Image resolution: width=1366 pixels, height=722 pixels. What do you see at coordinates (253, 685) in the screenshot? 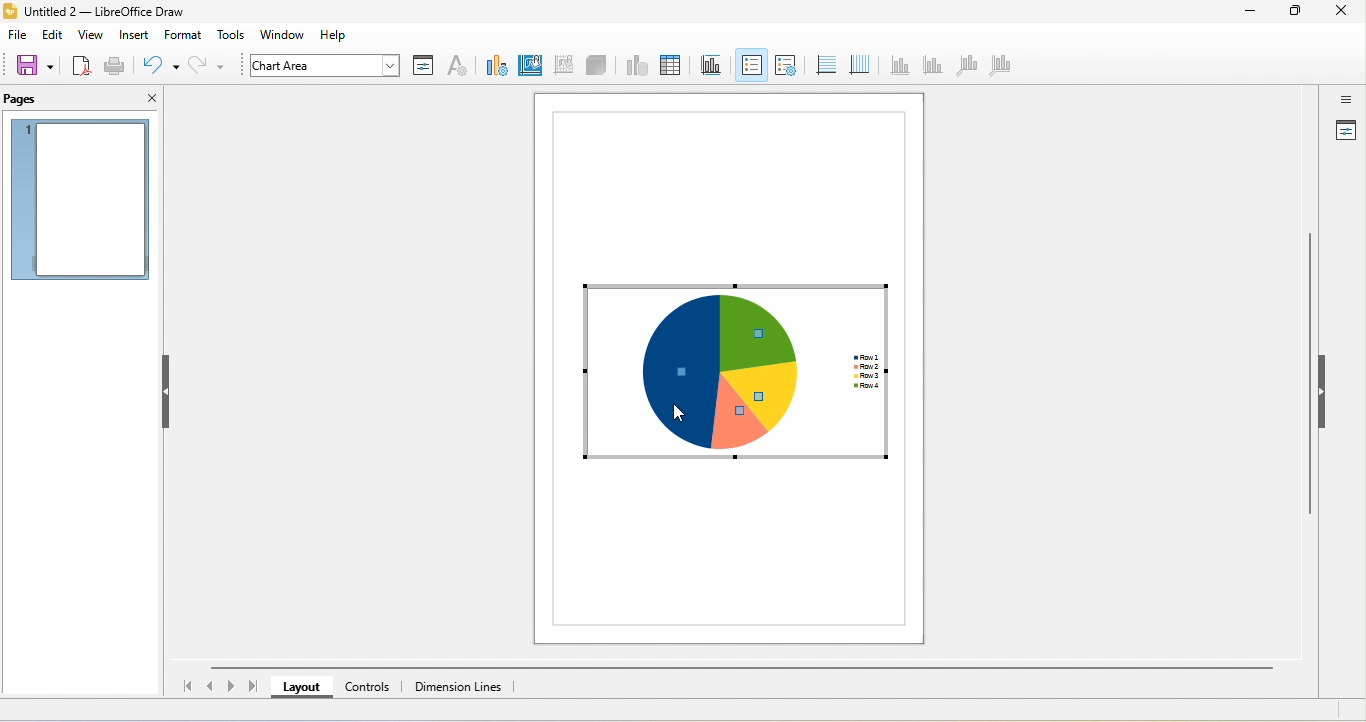
I see `last` at bounding box center [253, 685].